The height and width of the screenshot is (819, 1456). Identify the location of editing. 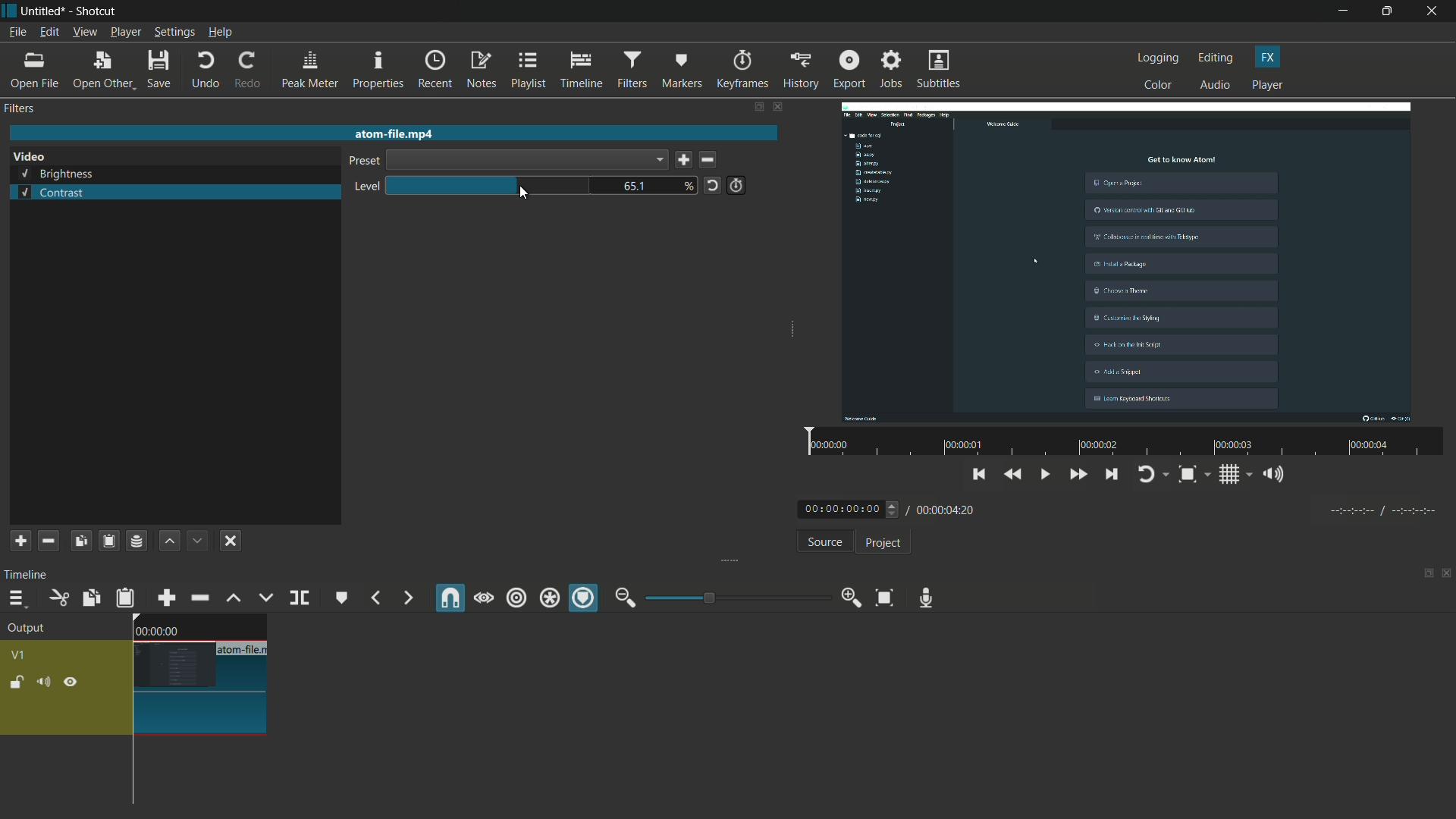
(1216, 58).